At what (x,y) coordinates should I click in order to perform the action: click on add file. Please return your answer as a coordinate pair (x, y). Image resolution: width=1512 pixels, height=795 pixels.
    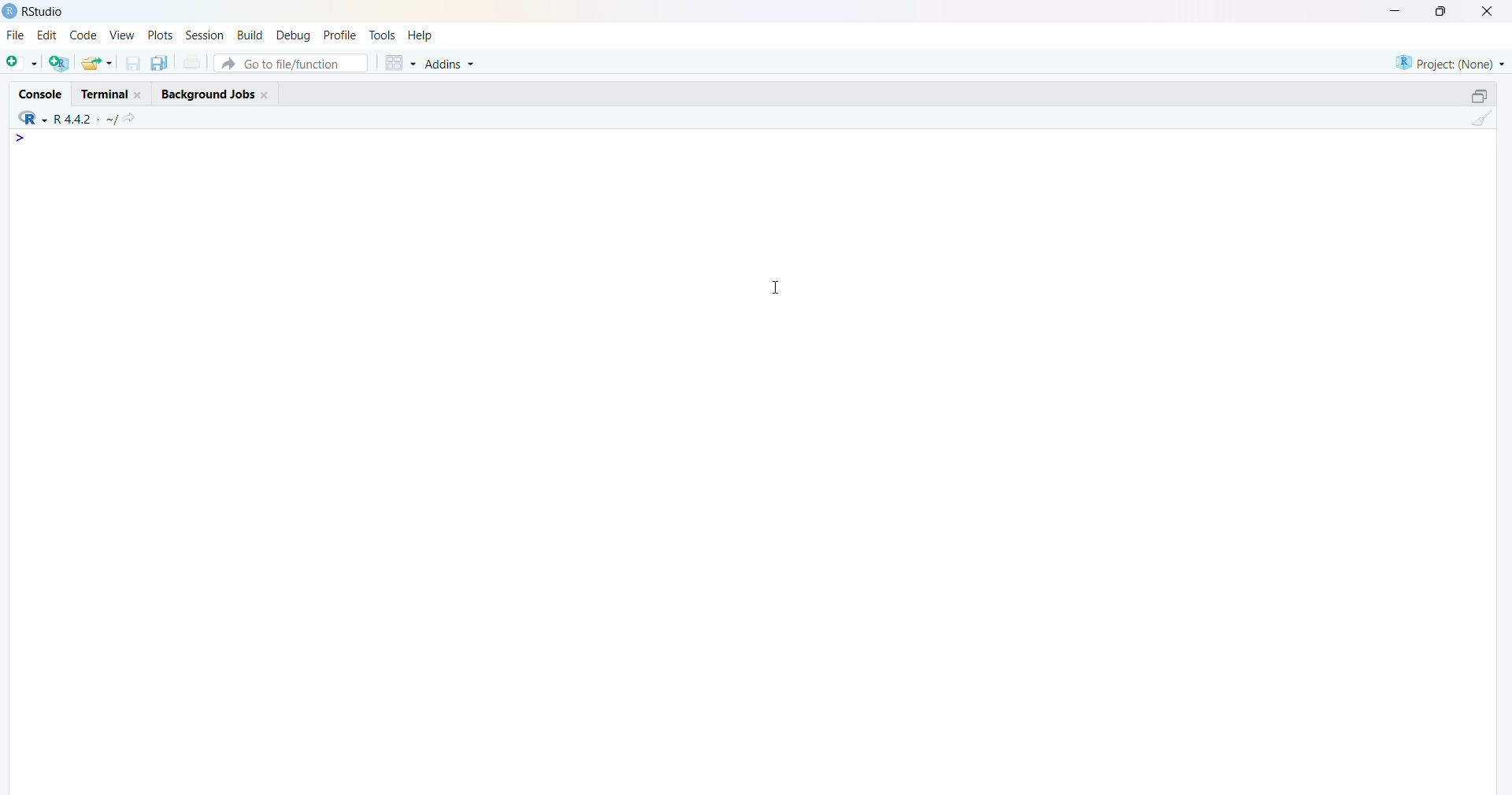
    Looking at the image, I should click on (61, 63).